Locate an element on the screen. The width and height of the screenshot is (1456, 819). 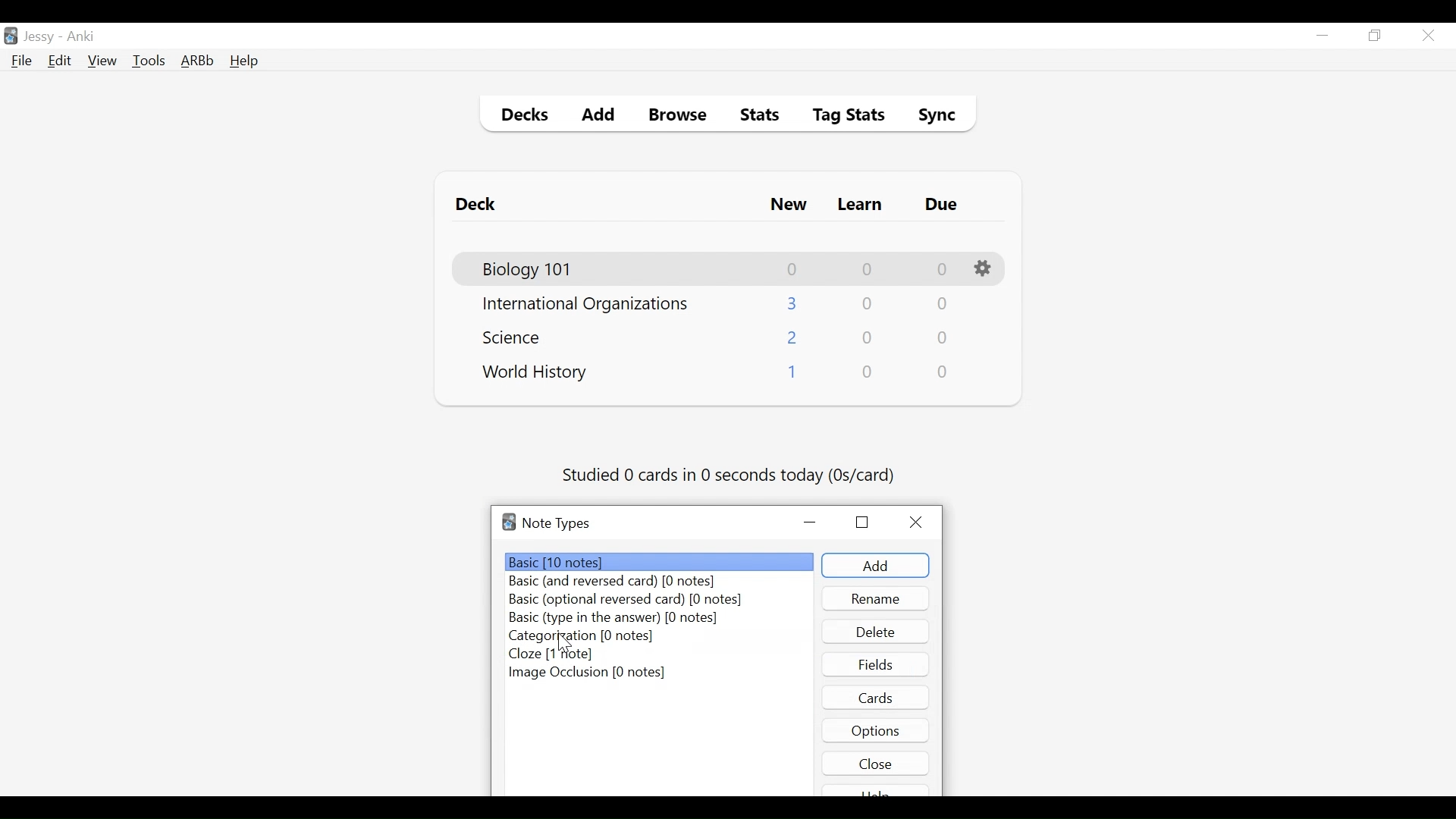
Options is located at coordinates (876, 730).